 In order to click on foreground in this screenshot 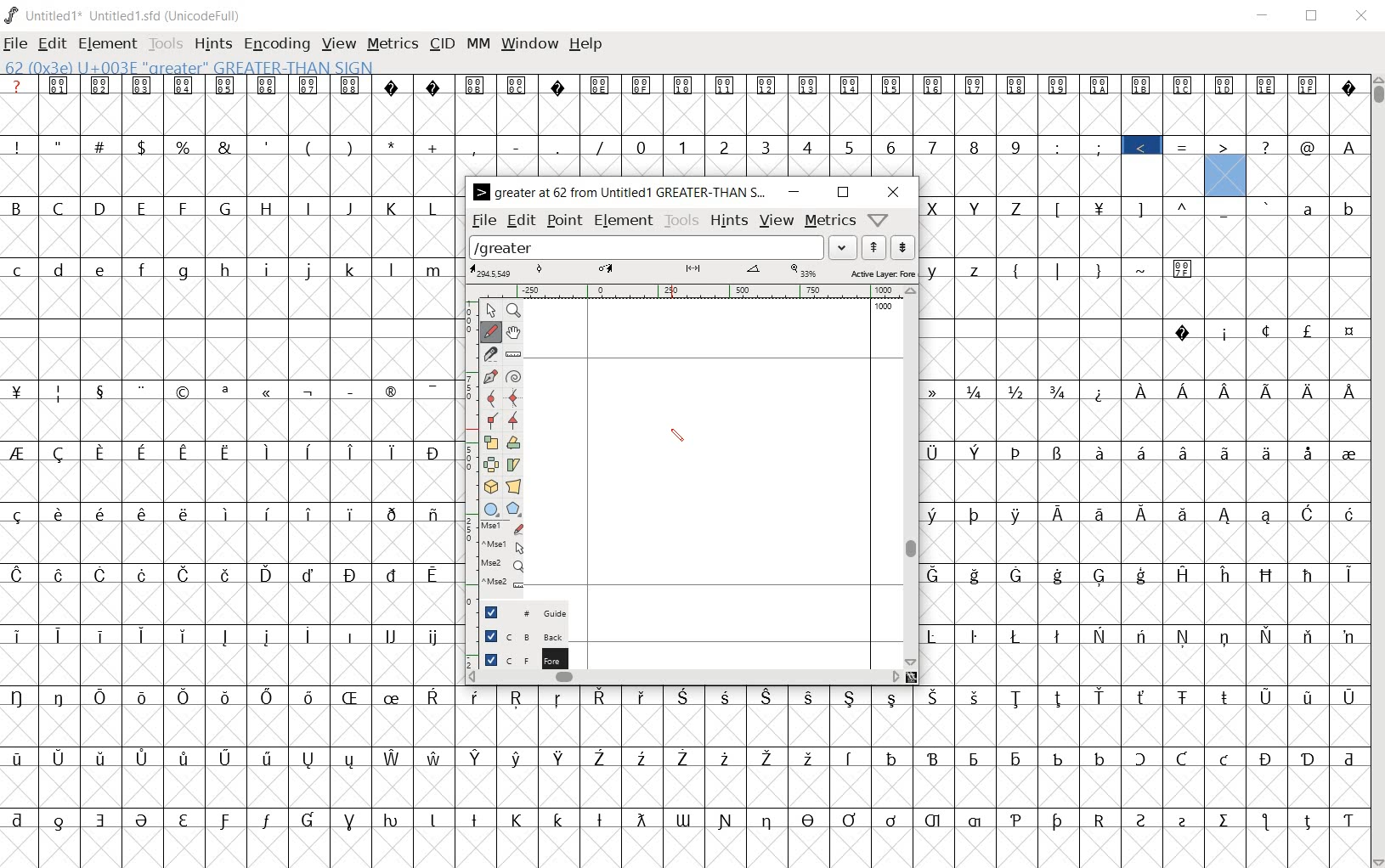, I will do `click(517, 658)`.